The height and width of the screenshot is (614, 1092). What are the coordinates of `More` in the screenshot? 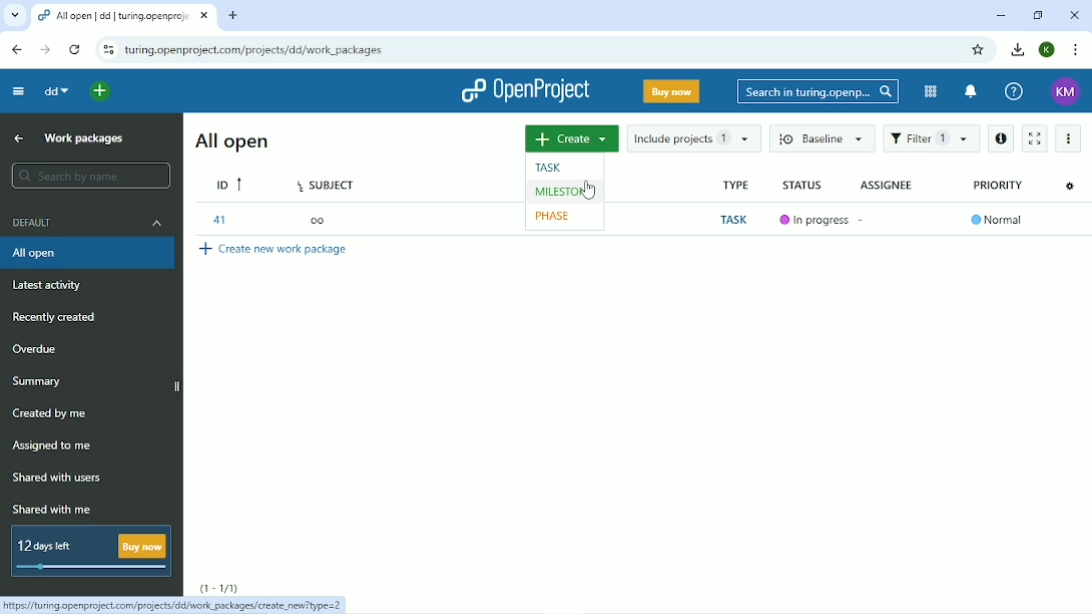 It's located at (1068, 138).